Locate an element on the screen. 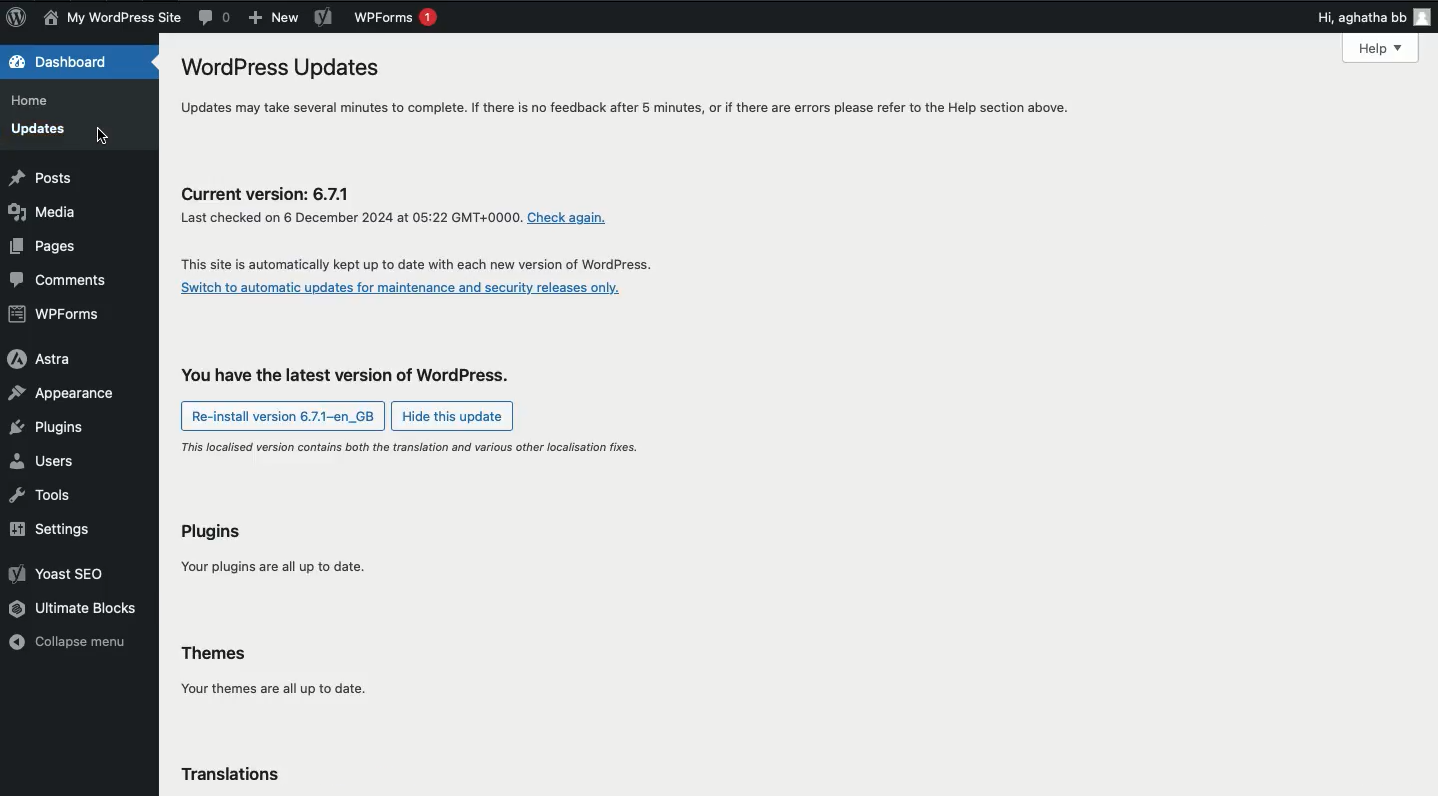 This screenshot has height=796, width=1438. Posts is located at coordinates (41, 179).